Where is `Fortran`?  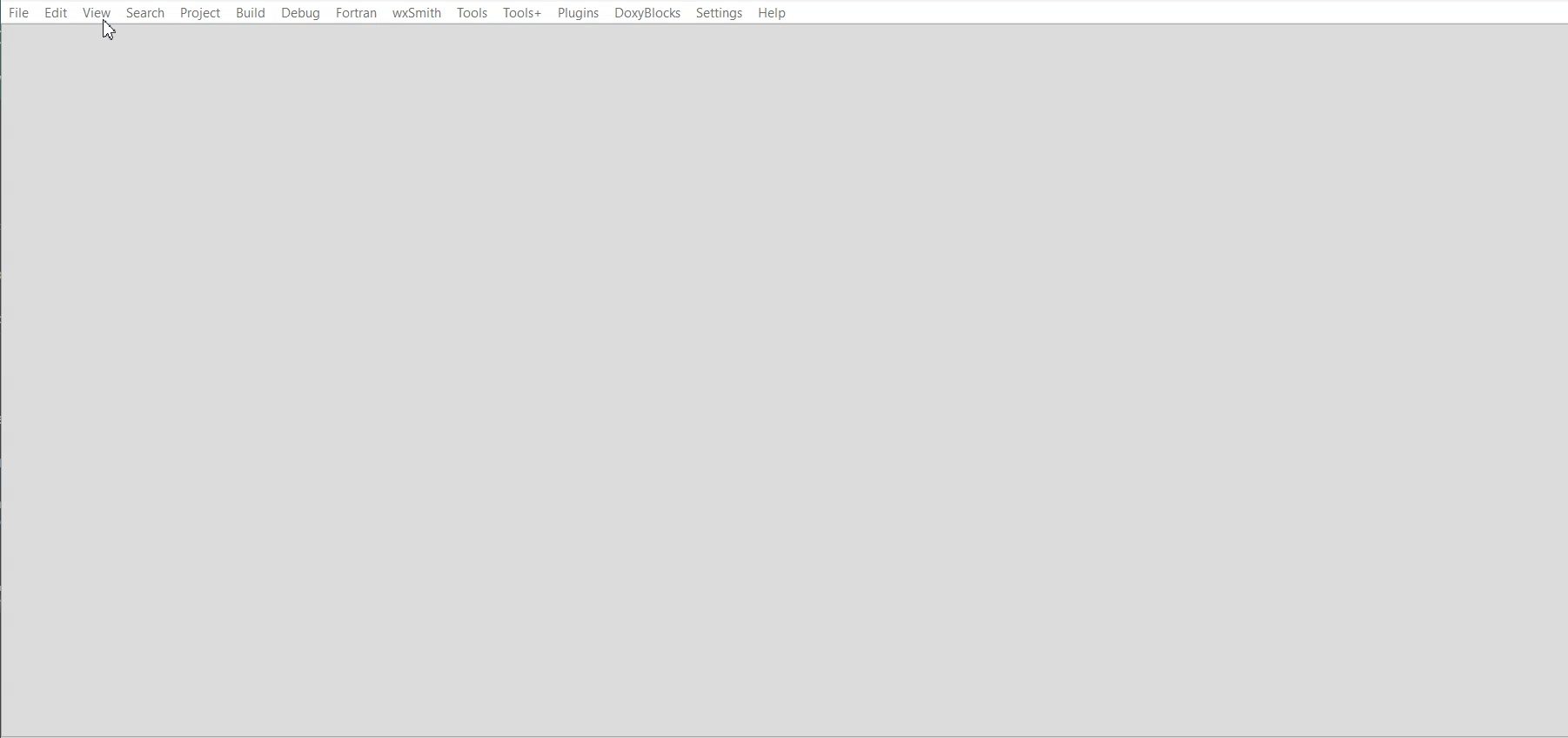
Fortran is located at coordinates (357, 13).